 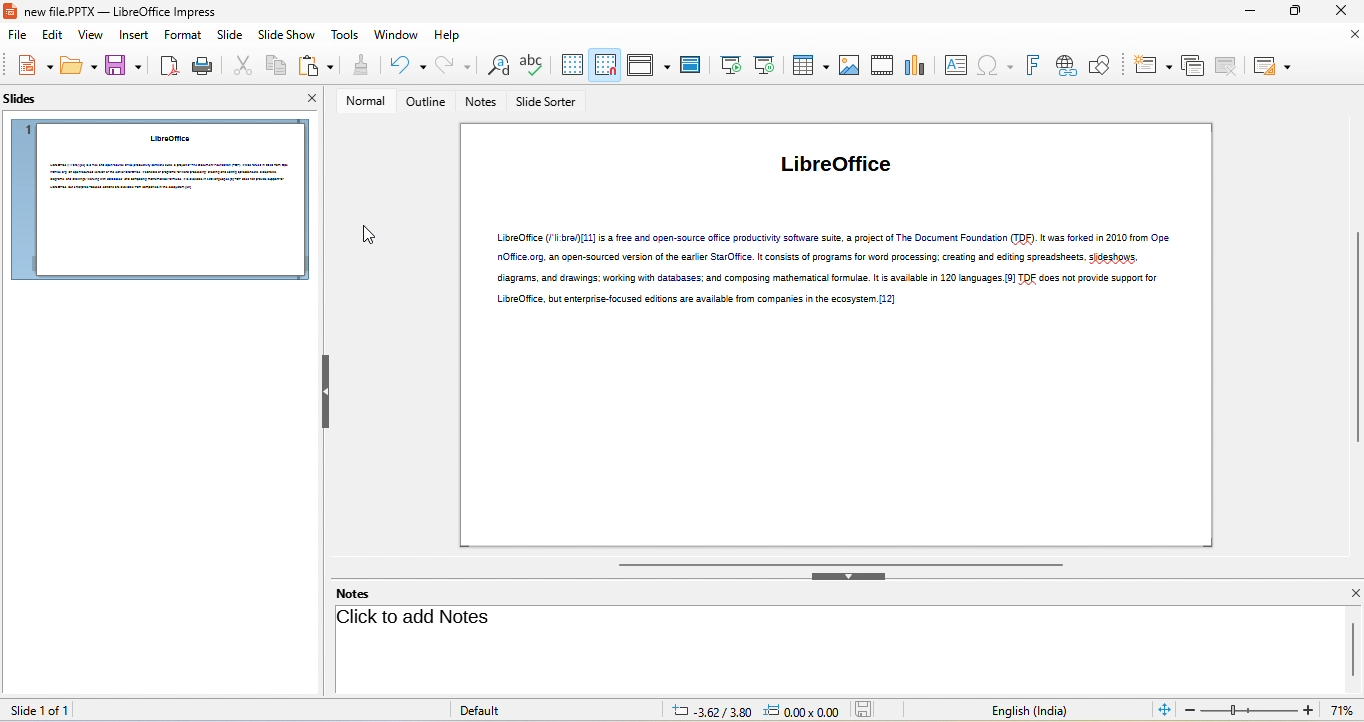 I want to click on image, so click(x=849, y=67).